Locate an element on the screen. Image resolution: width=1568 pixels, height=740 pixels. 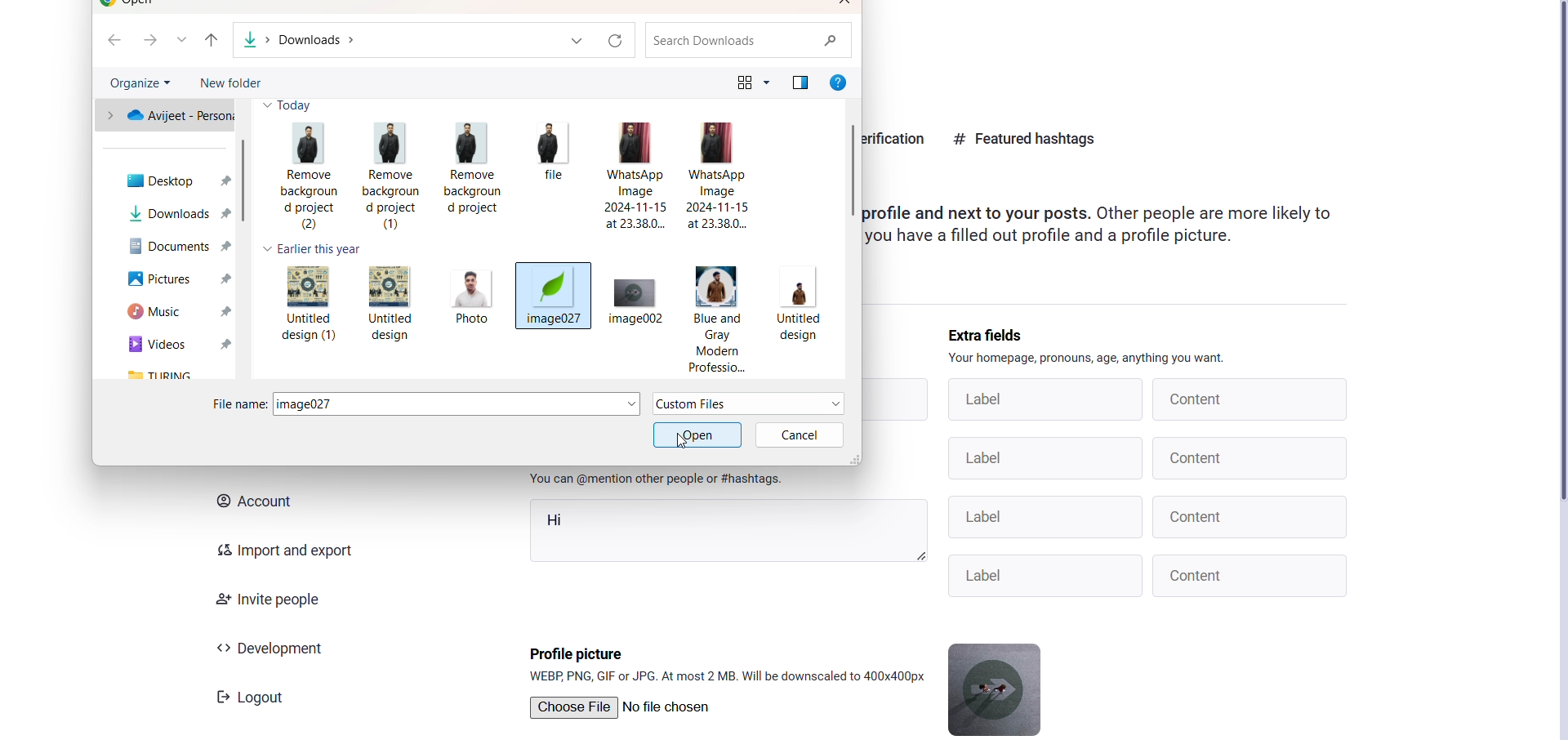
active open option is located at coordinates (697, 435).